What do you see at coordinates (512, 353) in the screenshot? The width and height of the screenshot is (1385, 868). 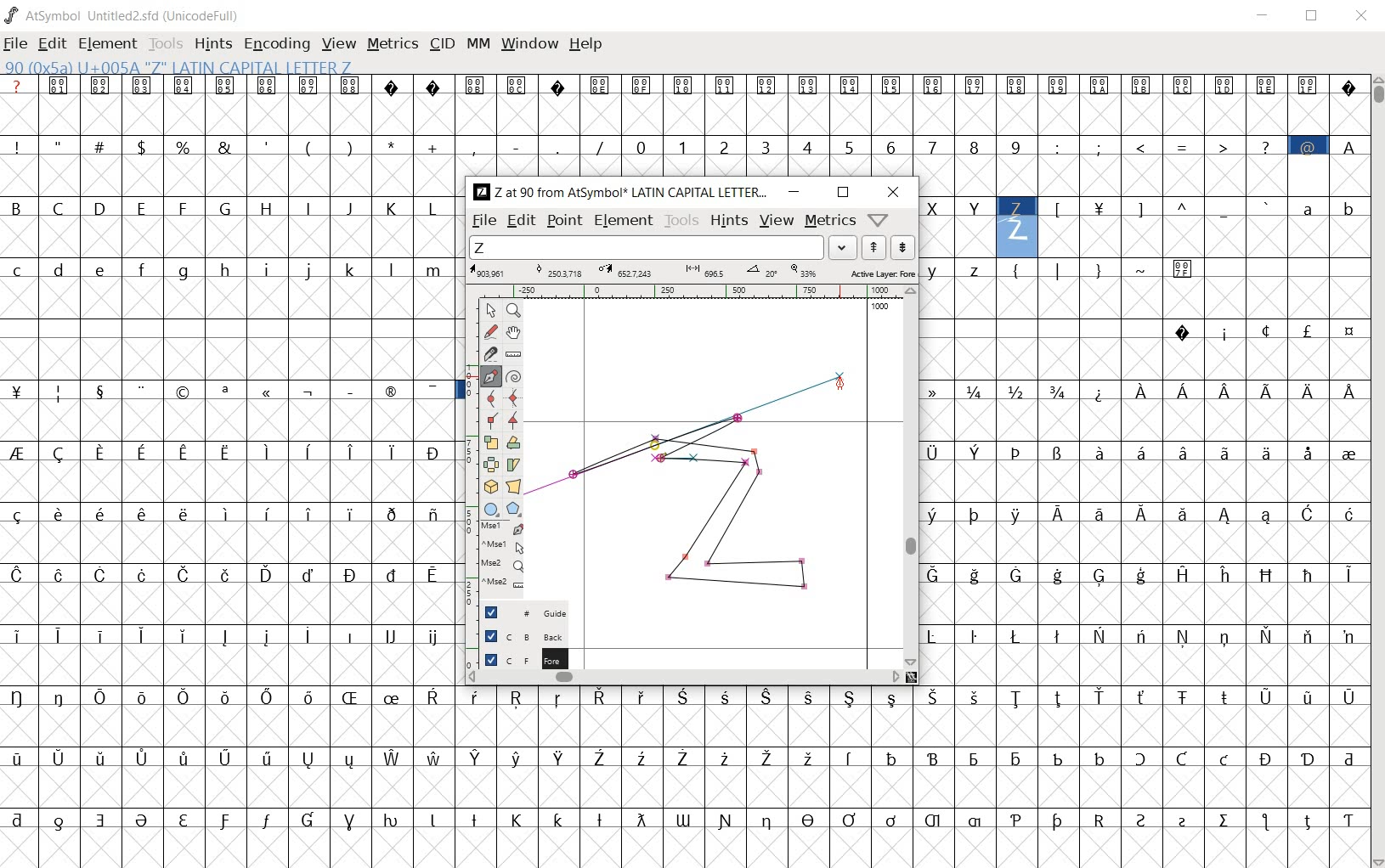 I see `measure a distance, angle between points` at bounding box center [512, 353].